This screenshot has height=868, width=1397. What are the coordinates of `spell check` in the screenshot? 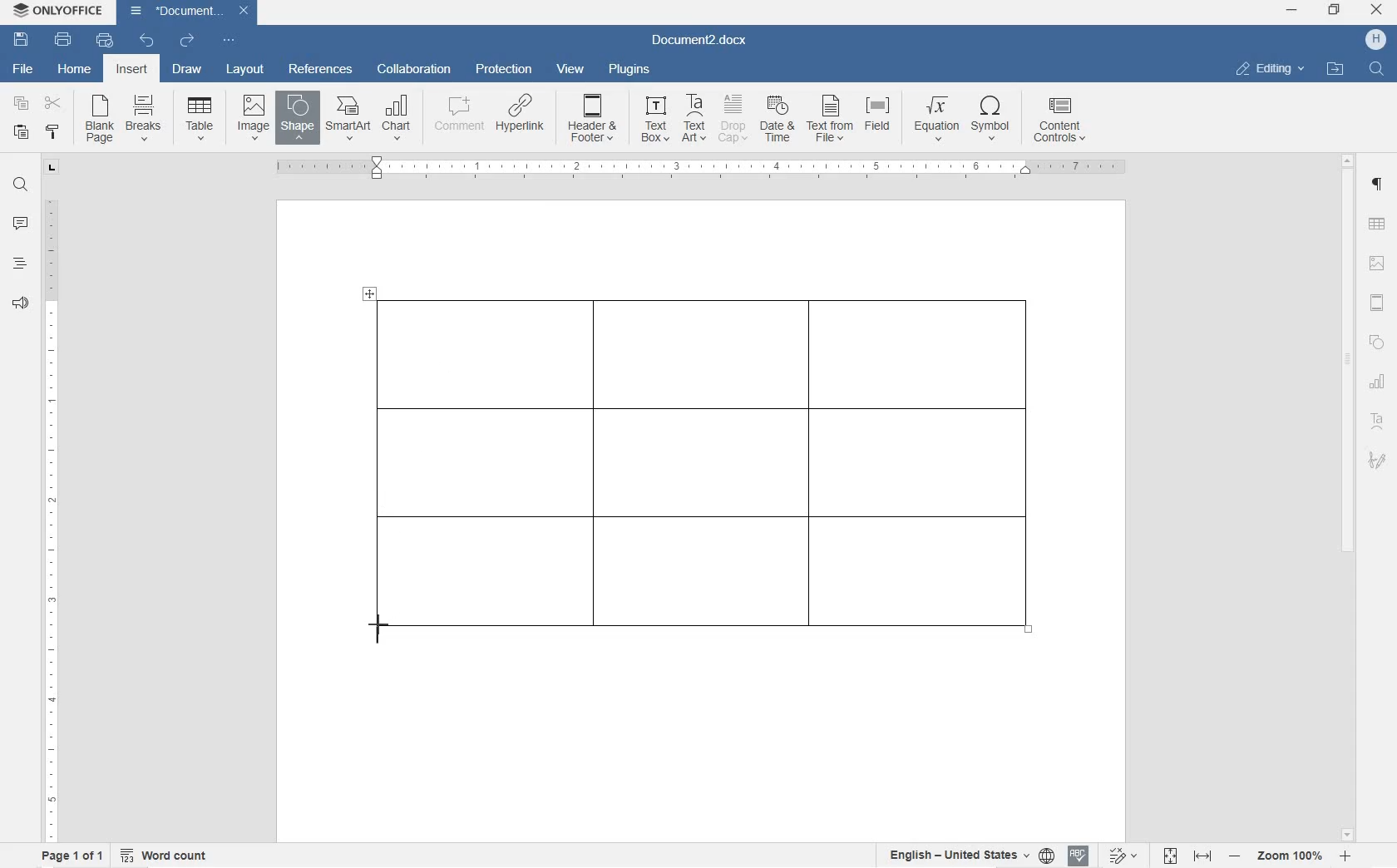 It's located at (1079, 857).